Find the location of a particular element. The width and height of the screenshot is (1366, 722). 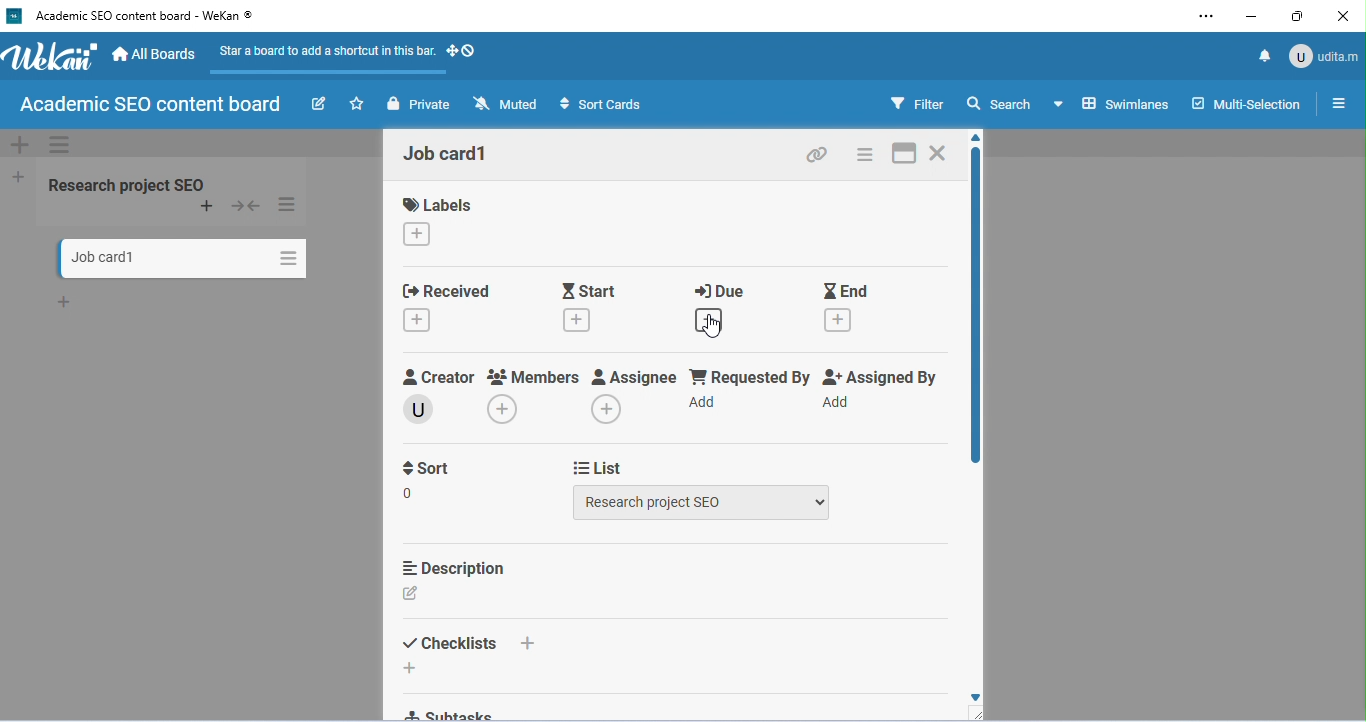

star a board to add a shortcut in this bar is located at coordinates (323, 57).